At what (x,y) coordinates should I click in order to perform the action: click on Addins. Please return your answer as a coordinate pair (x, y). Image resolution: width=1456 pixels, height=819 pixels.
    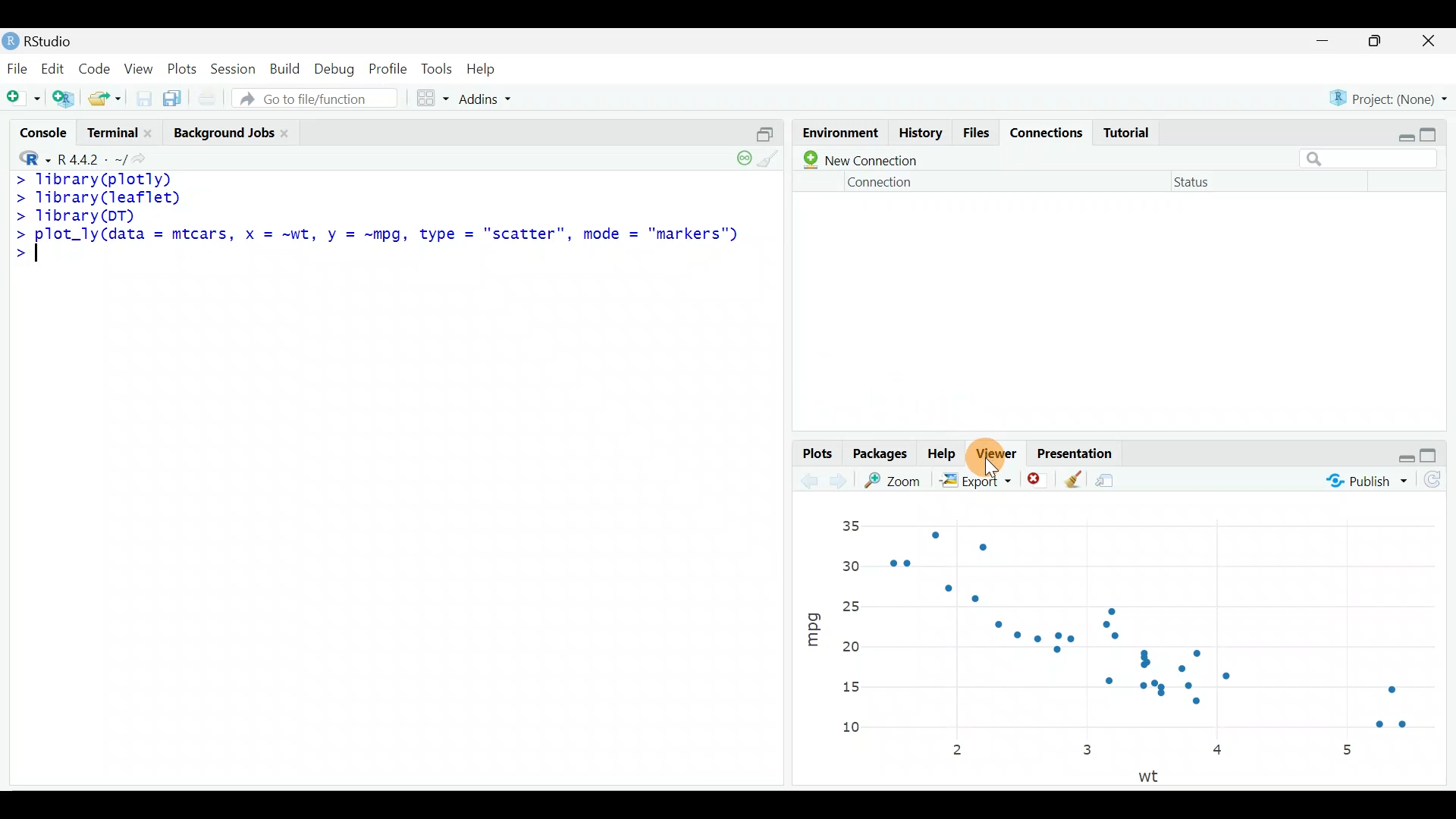
    Looking at the image, I should click on (488, 97).